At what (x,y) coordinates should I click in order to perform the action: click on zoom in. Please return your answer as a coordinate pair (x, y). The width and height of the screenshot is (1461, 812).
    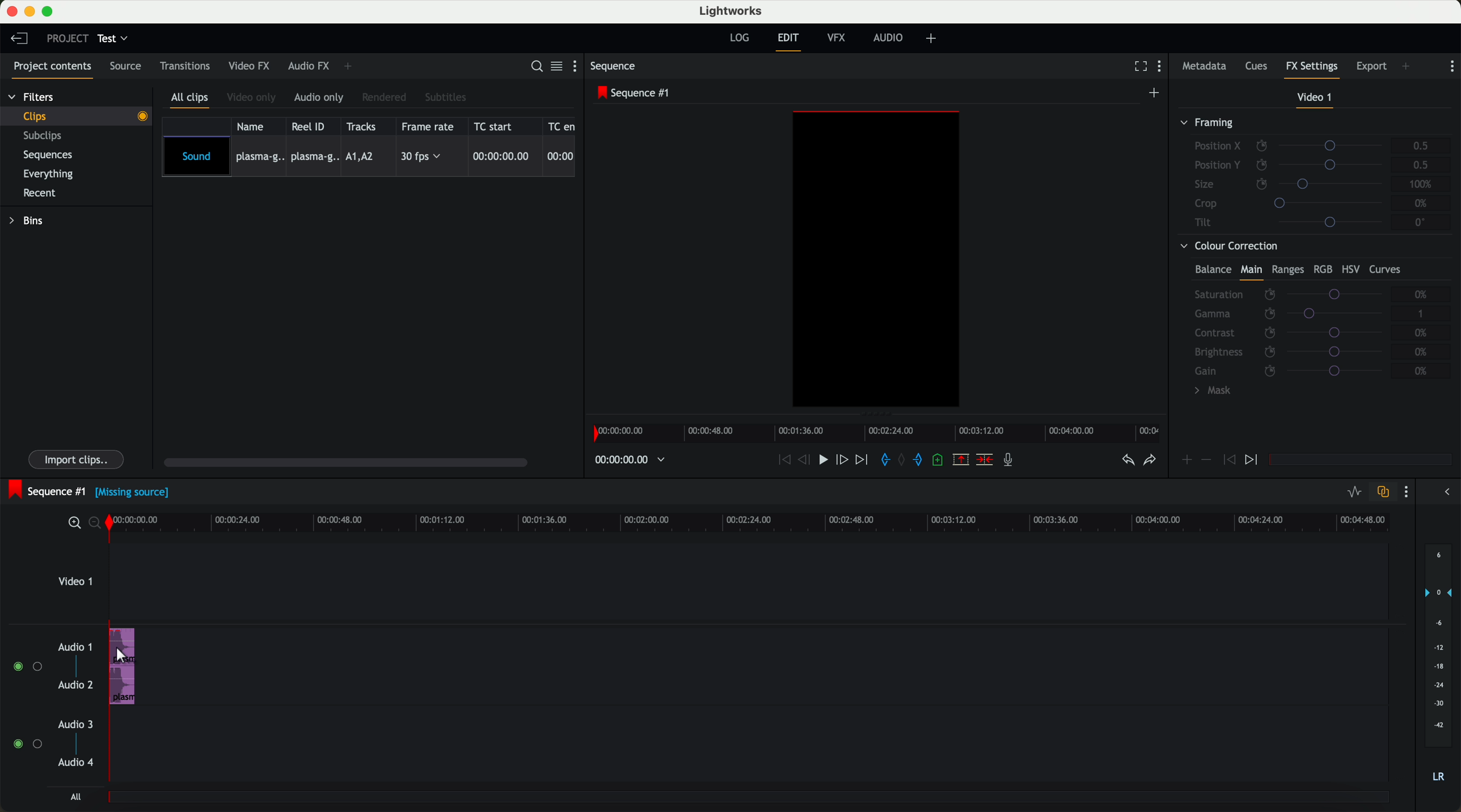
    Looking at the image, I should click on (74, 523).